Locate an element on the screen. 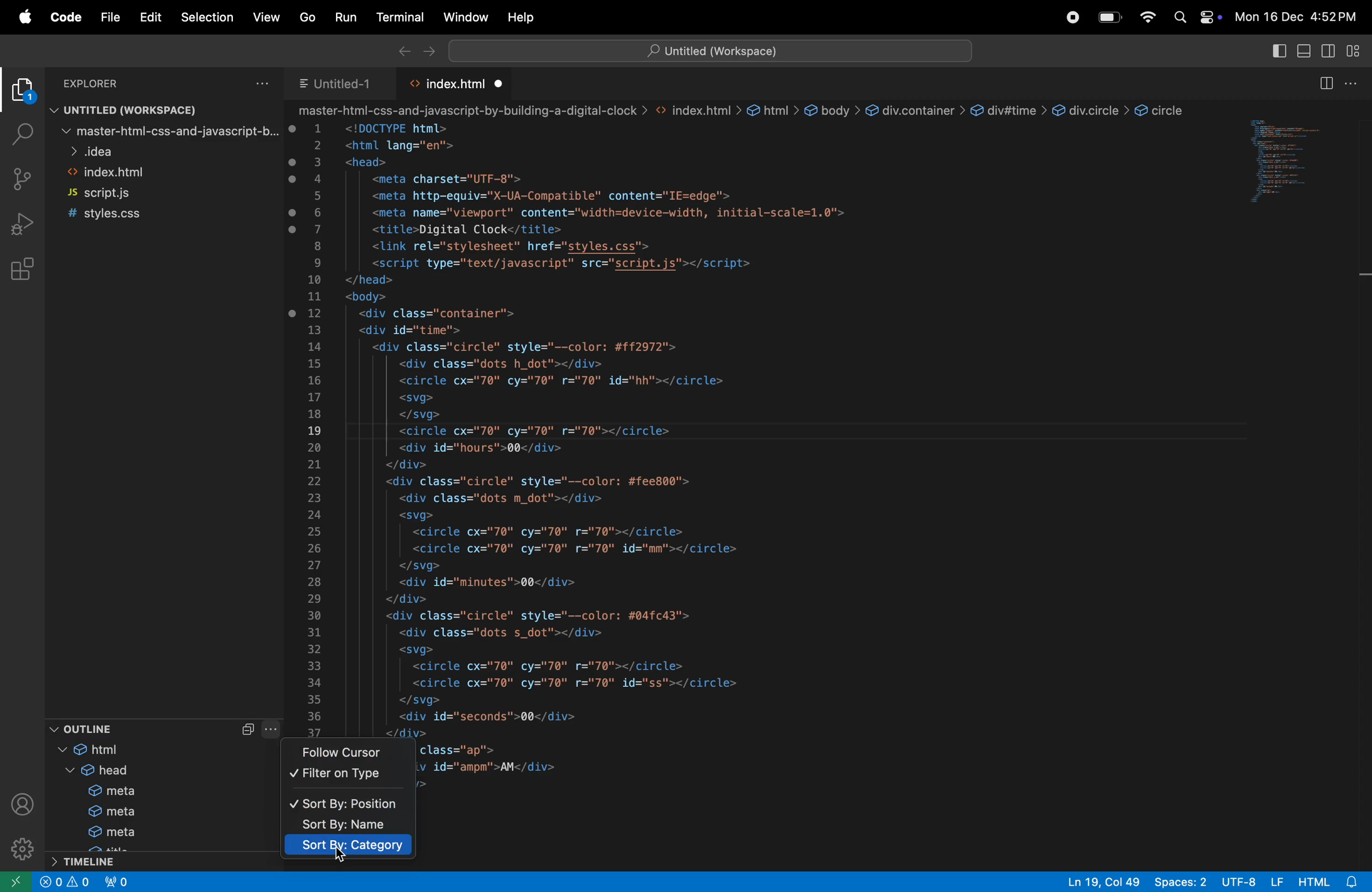 This screenshot has height=892, width=1372. primary secondary is located at coordinates (1333, 51).